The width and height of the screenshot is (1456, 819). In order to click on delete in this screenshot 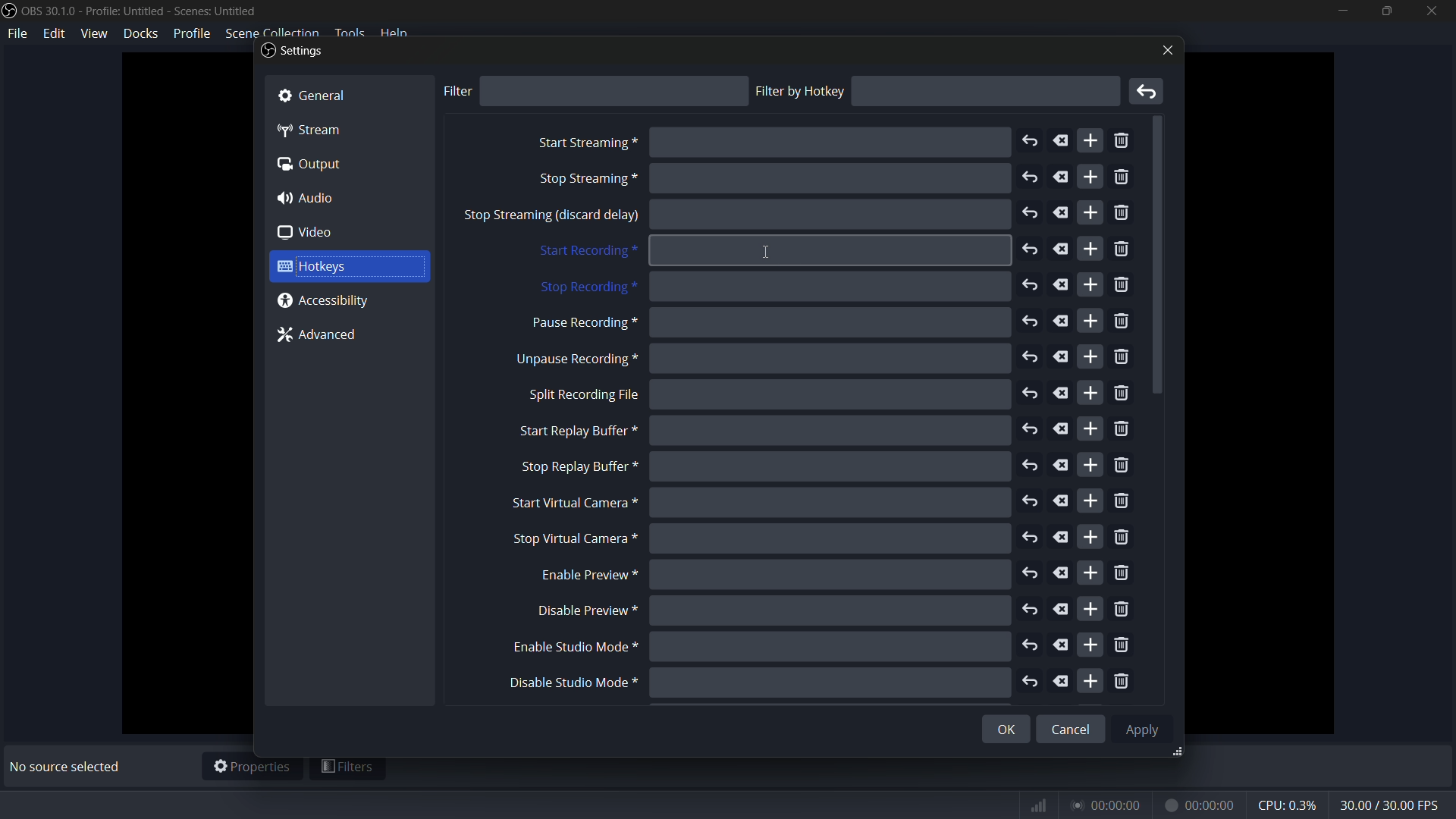, I will do `click(1062, 394)`.